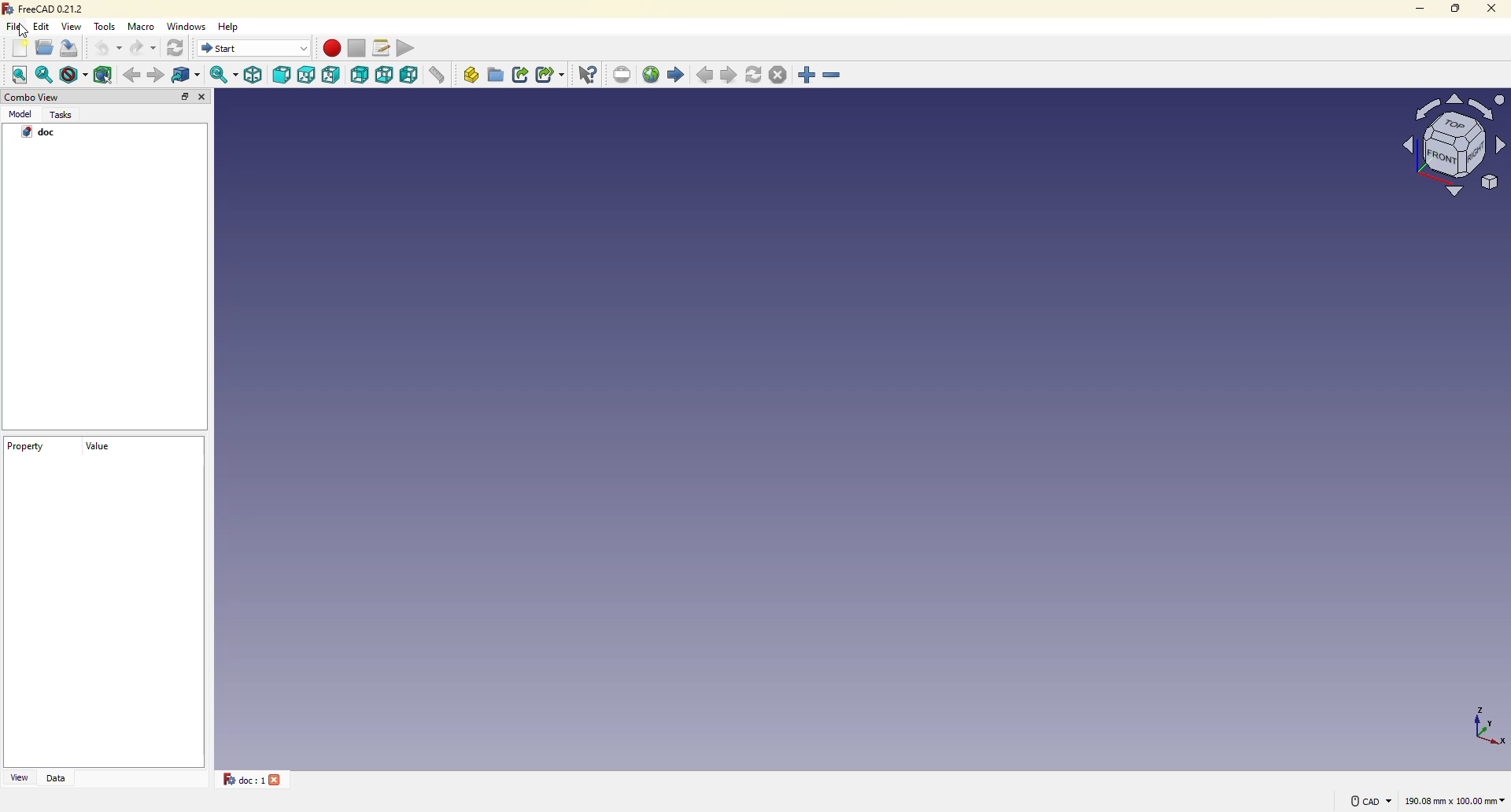 This screenshot has width=1511, height=812. What do you see at coordinates (833, 76) in the screenshot?
I see `zoom out` at bounding box center [833, 76].